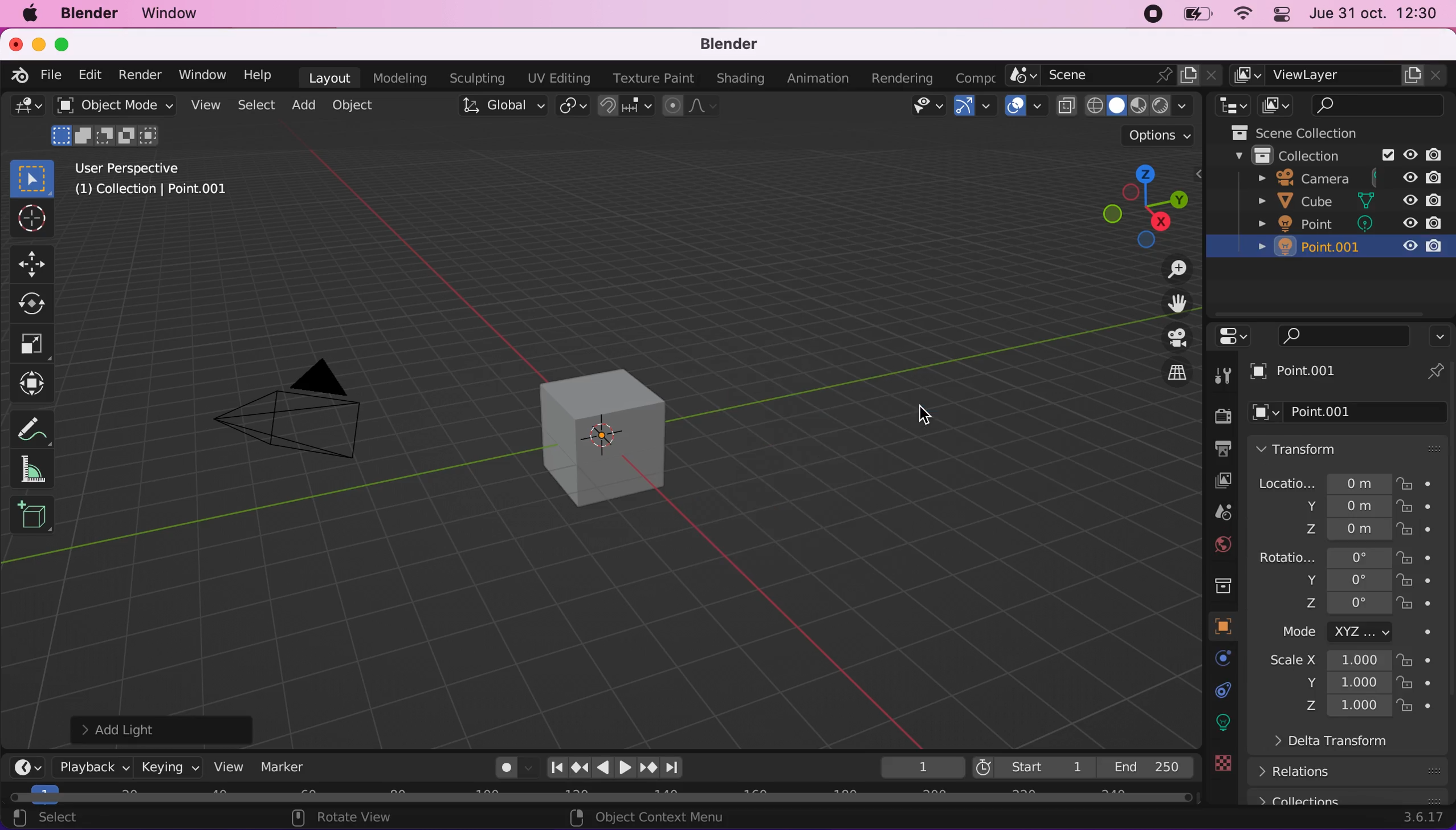  Describe the element at coordinates (255, 105) in the screenshot. I see `select` at that location.